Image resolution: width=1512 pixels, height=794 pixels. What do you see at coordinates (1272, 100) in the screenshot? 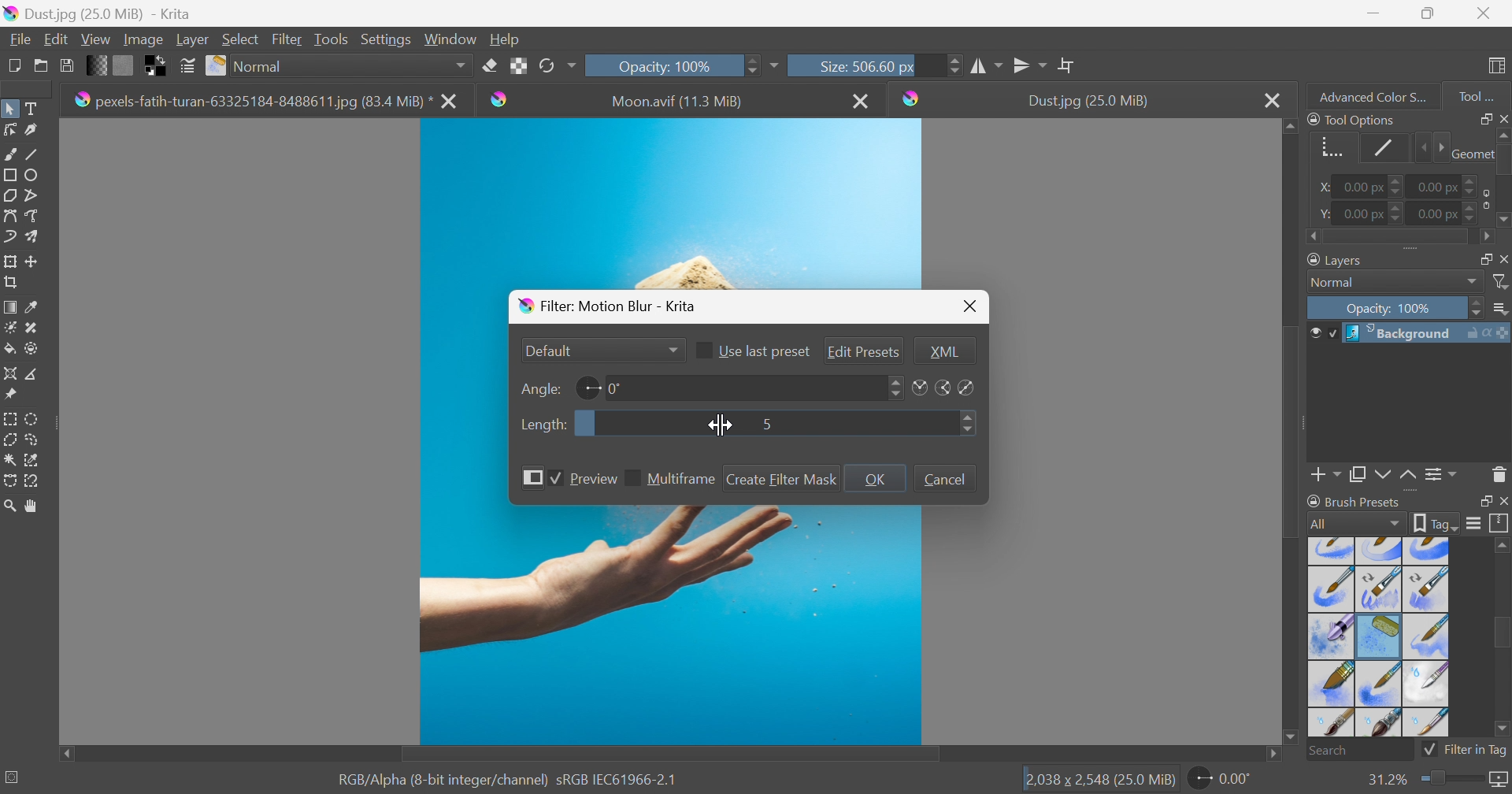
I see `Close` at bounding box center [1272, 100].